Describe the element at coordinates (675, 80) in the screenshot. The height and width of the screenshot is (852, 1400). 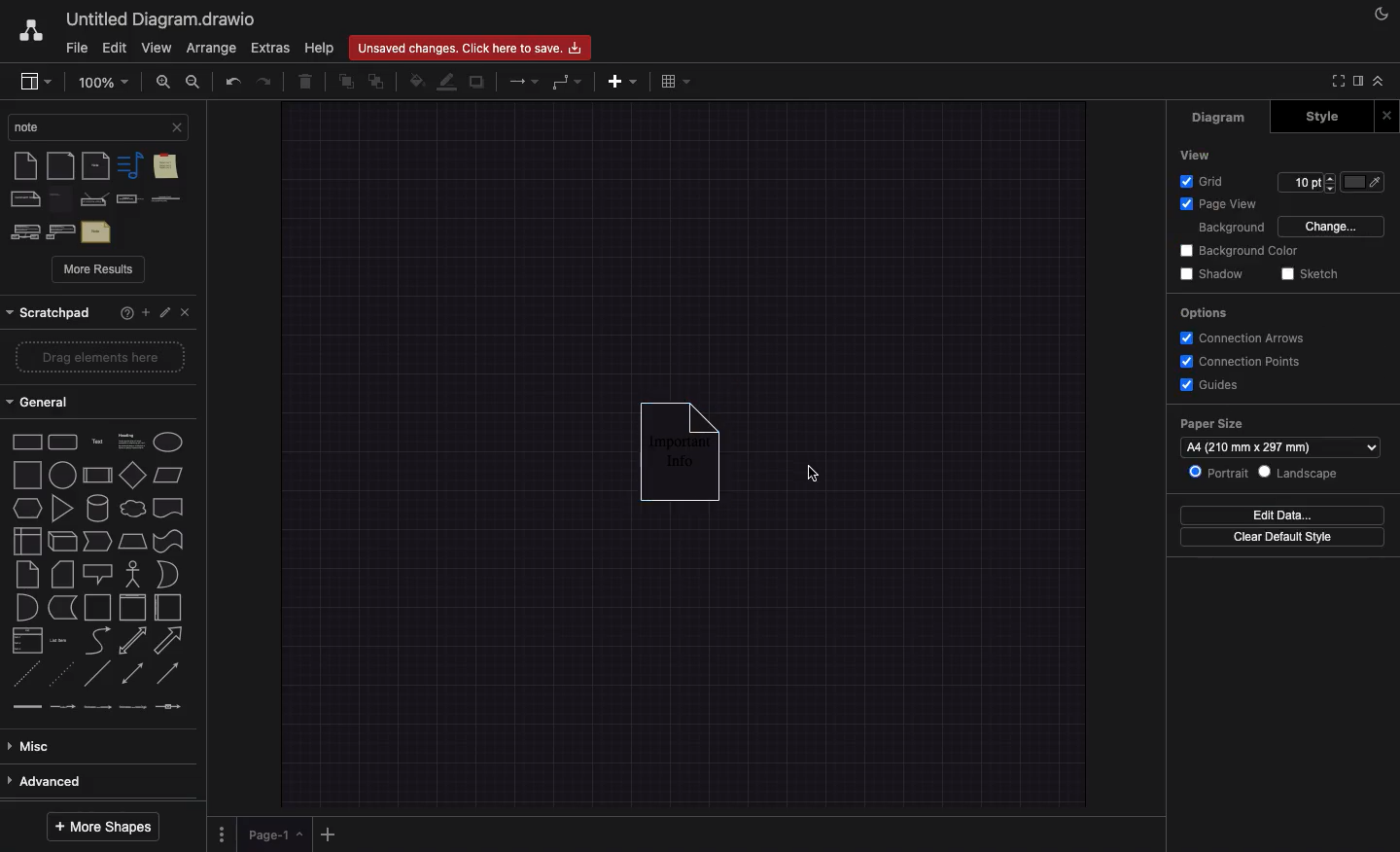
I see `Table` at that location.